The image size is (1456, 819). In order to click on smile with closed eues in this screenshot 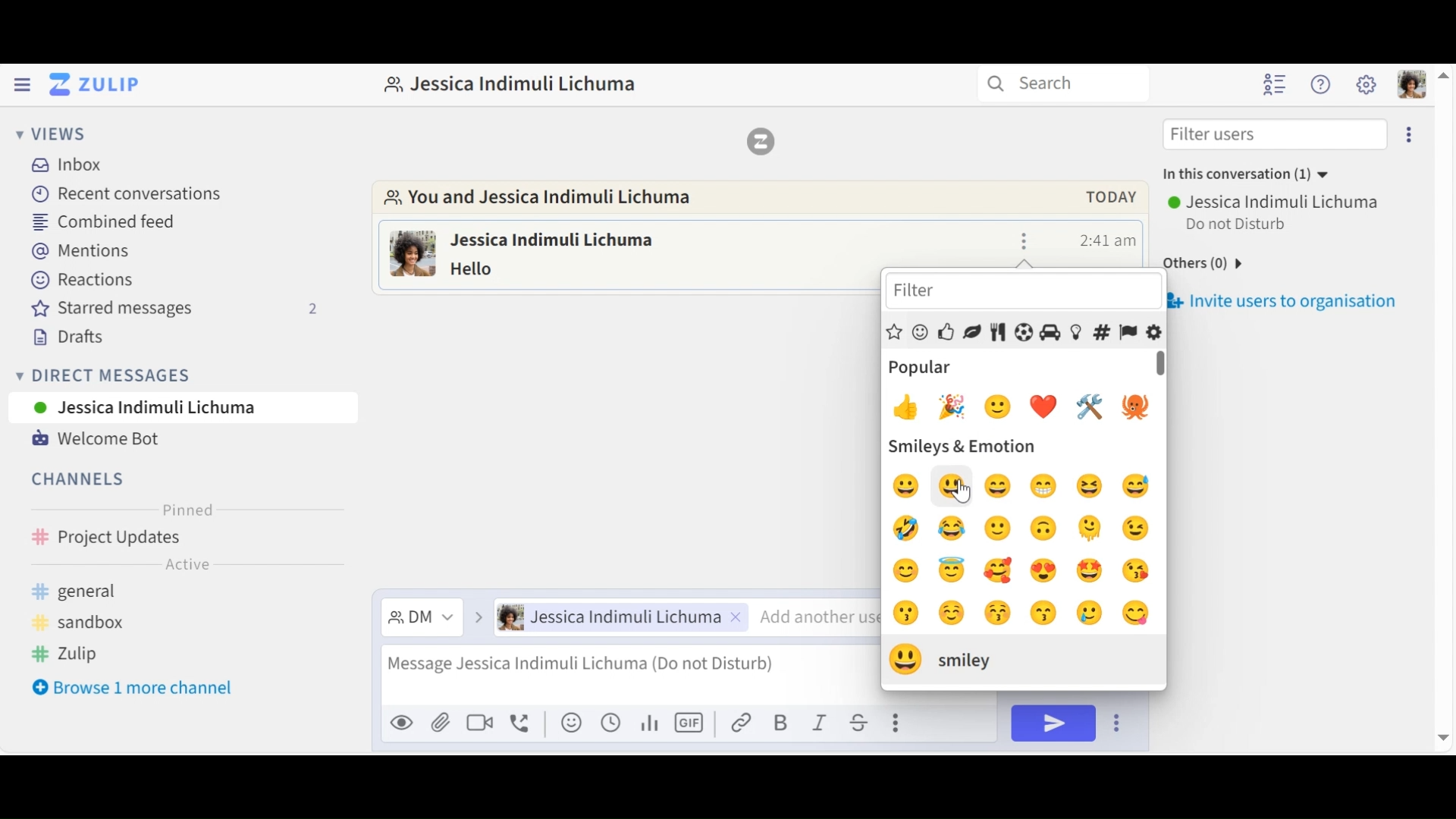, I will do `click(911, 570)`.